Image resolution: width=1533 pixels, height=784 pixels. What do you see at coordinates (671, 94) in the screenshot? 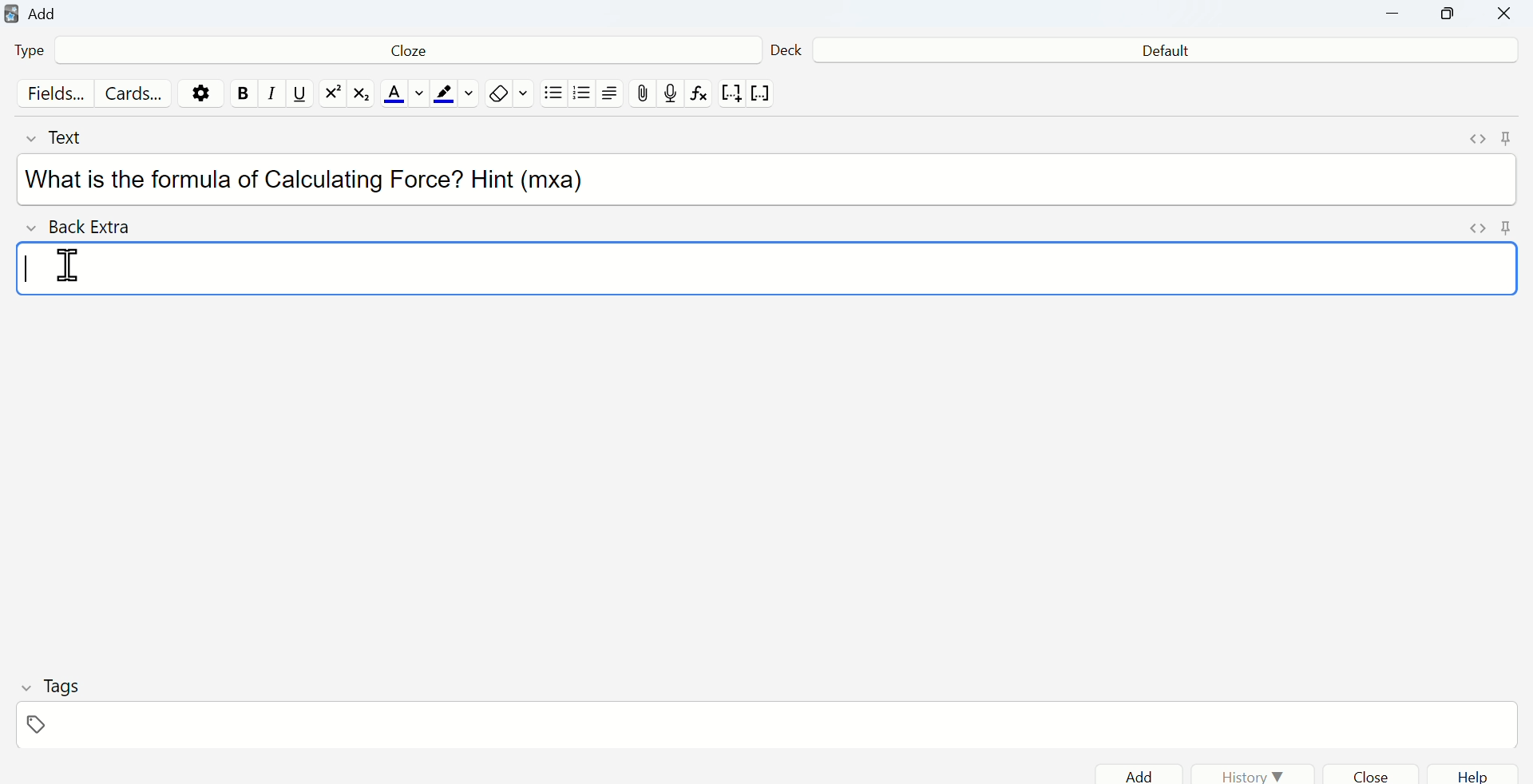
I see `record` at bounding box center [671, 94].